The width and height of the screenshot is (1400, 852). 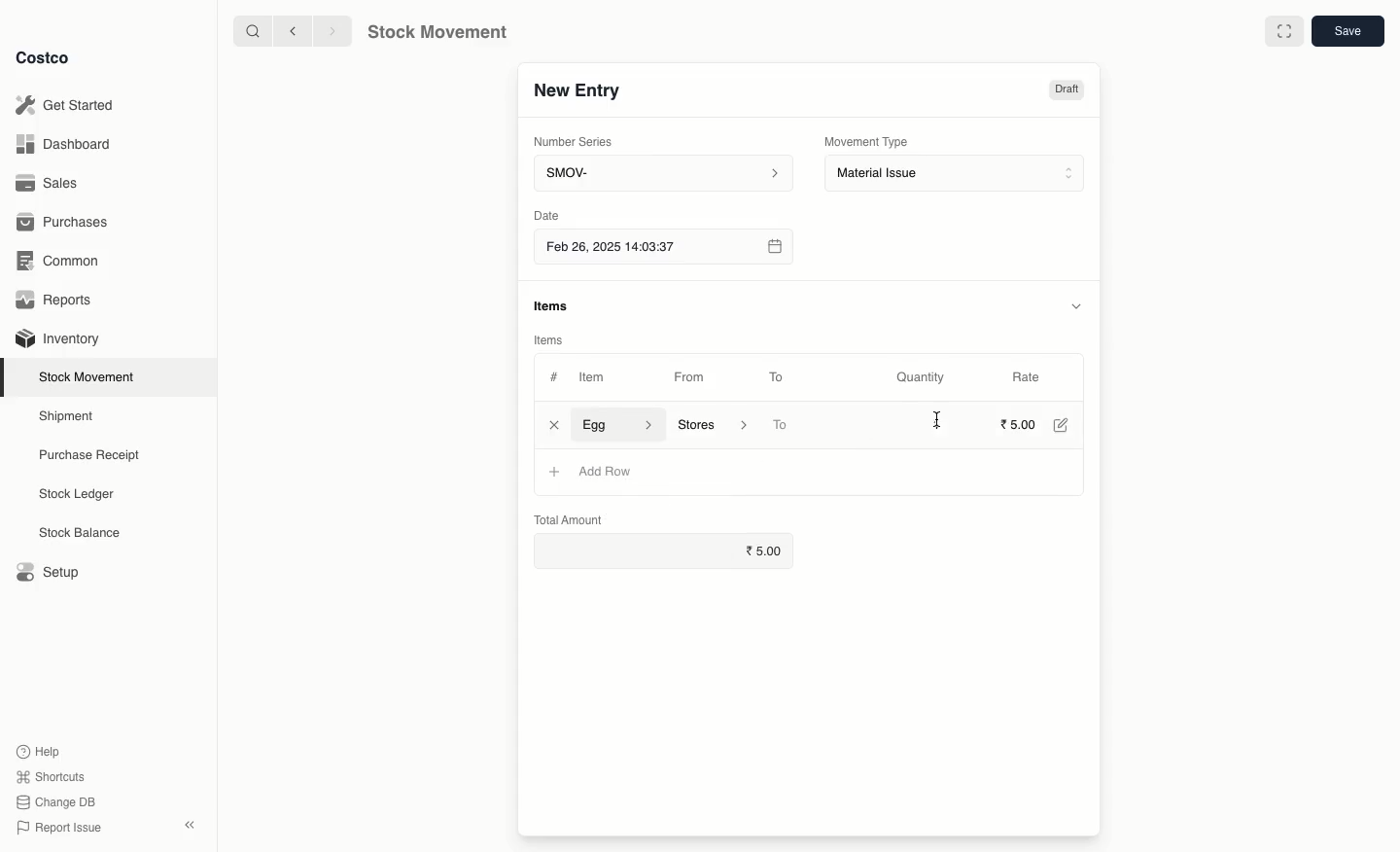 I want to click on items, so click(x=553, y=306).